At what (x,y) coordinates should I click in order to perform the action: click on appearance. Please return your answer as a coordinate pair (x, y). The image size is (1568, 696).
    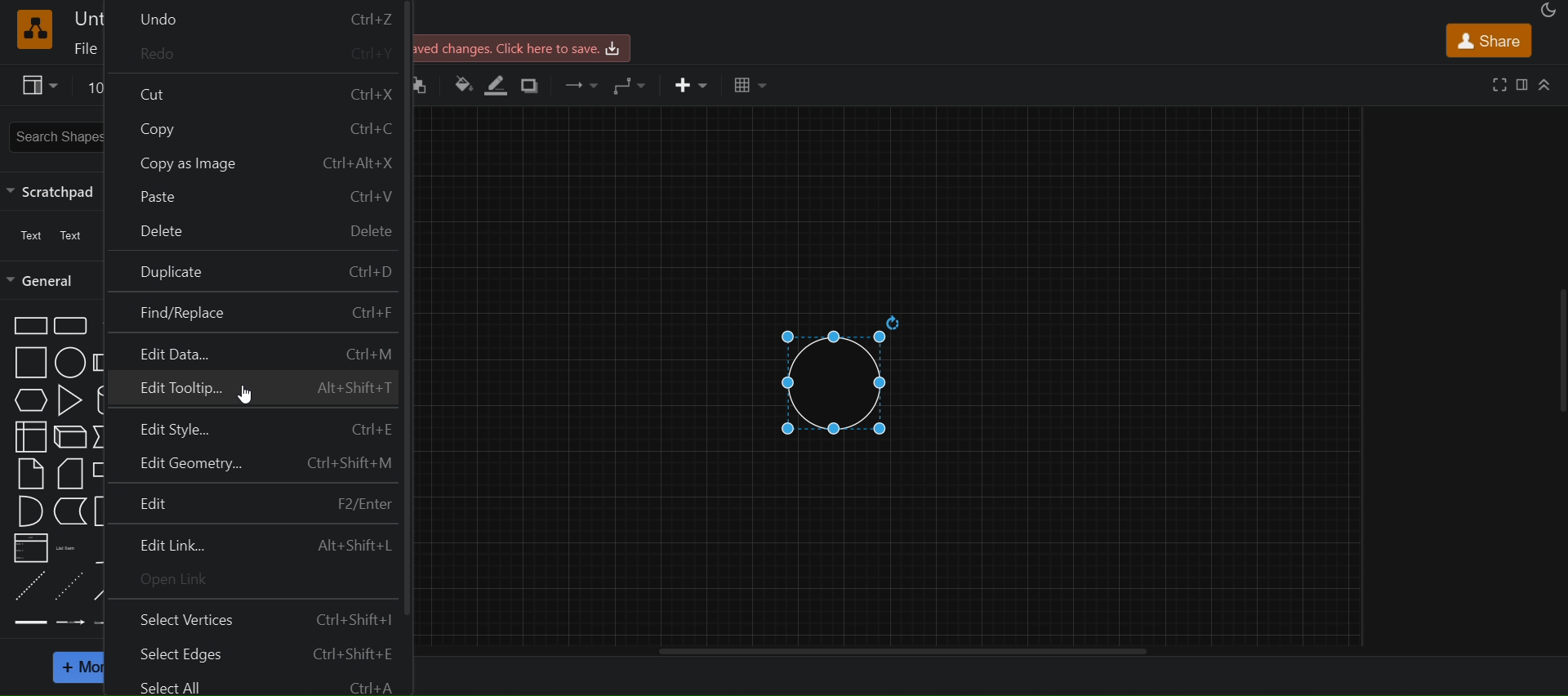
    Looking at the image, I should click on (1547, 11).